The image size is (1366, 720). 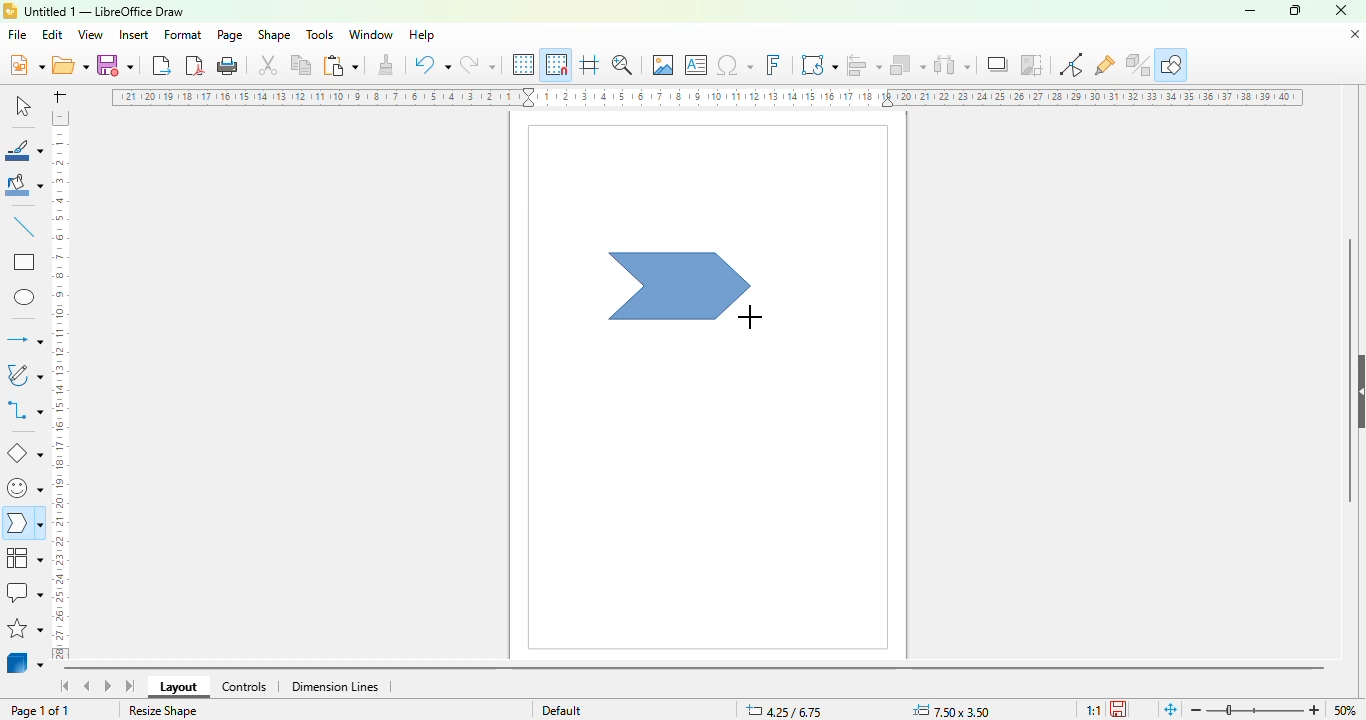 I want to click on clone formatting, so click(x=387, y=63).